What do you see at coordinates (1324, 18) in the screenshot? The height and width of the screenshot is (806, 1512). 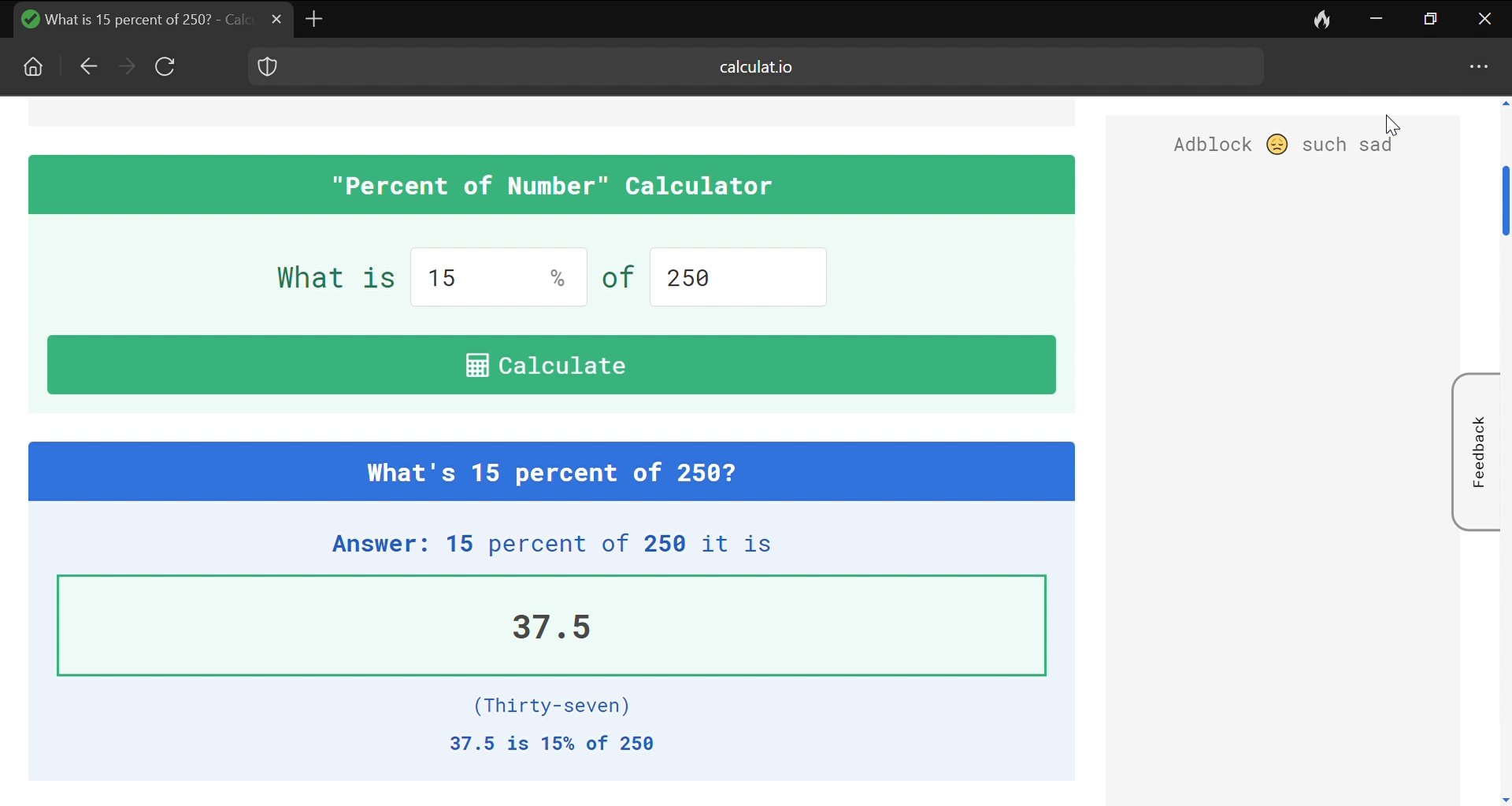 I see `Leave no trace` at bounding box center [1324, 18].